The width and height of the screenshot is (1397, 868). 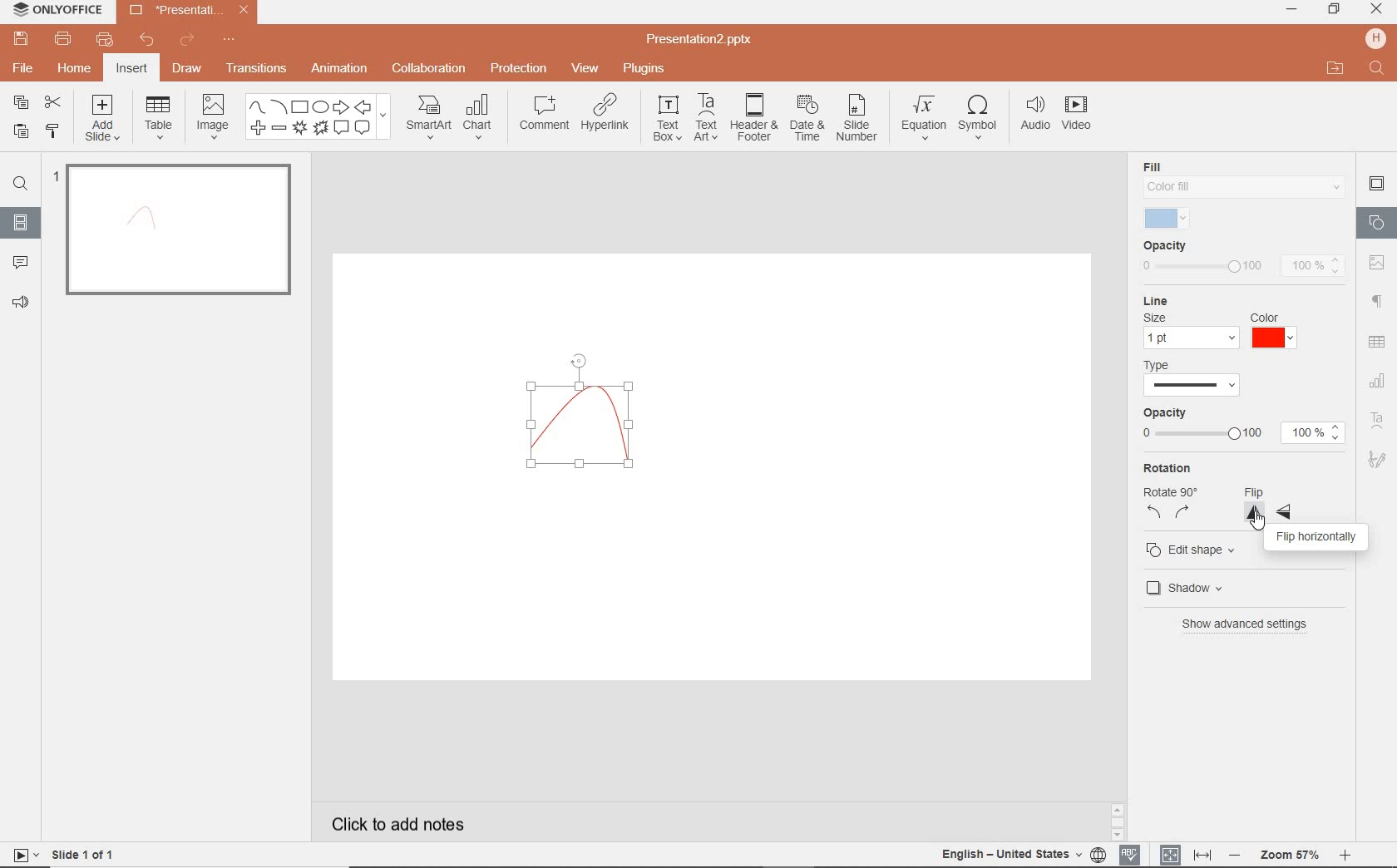 What do you see at coordinates (23, 184) in the screenshot?
I see `FIND` at bounding box center [23, 184].